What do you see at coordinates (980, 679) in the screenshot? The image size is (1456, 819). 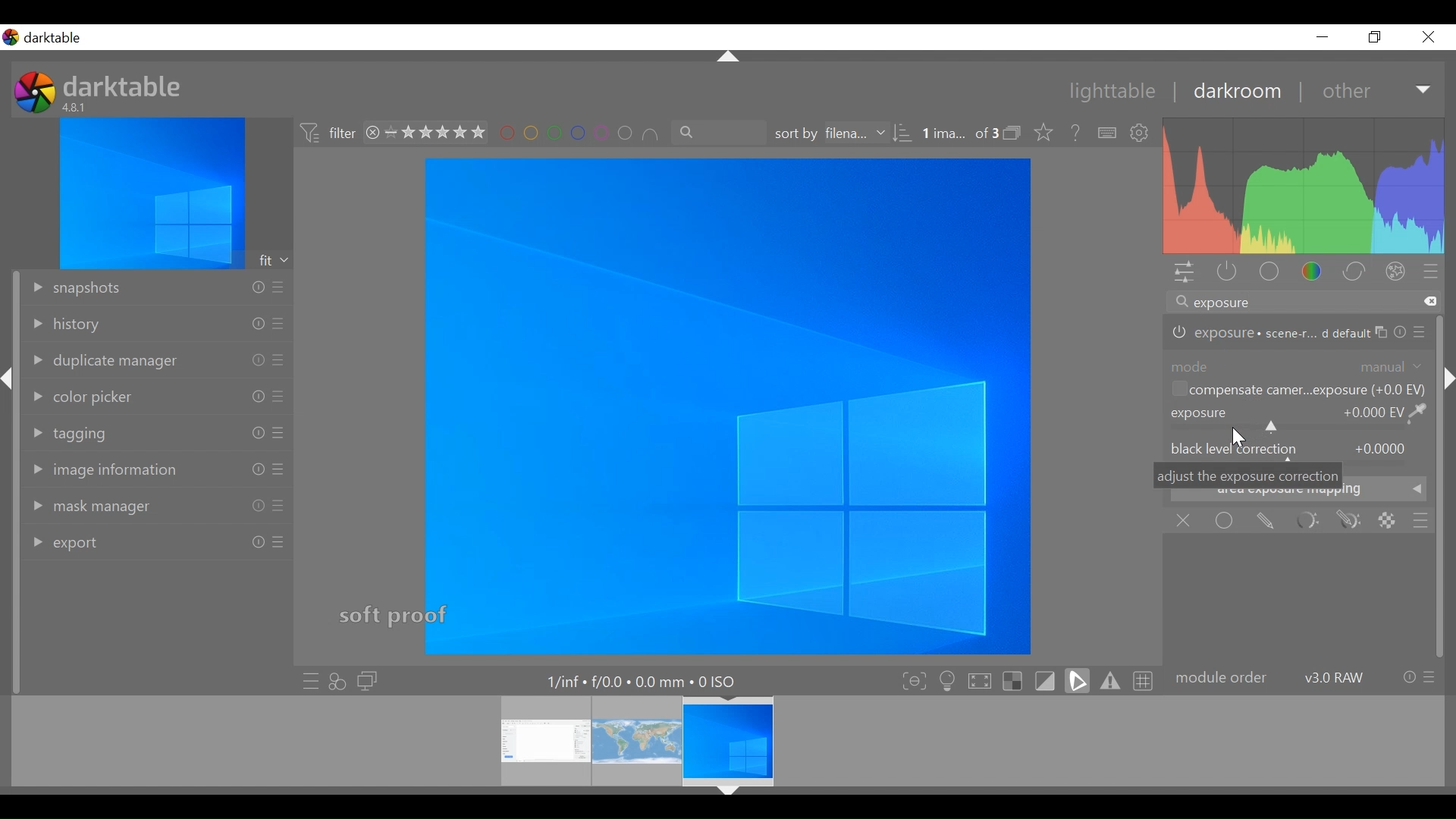 I see `toggle high quality processing` at bounding box center [980, 679].